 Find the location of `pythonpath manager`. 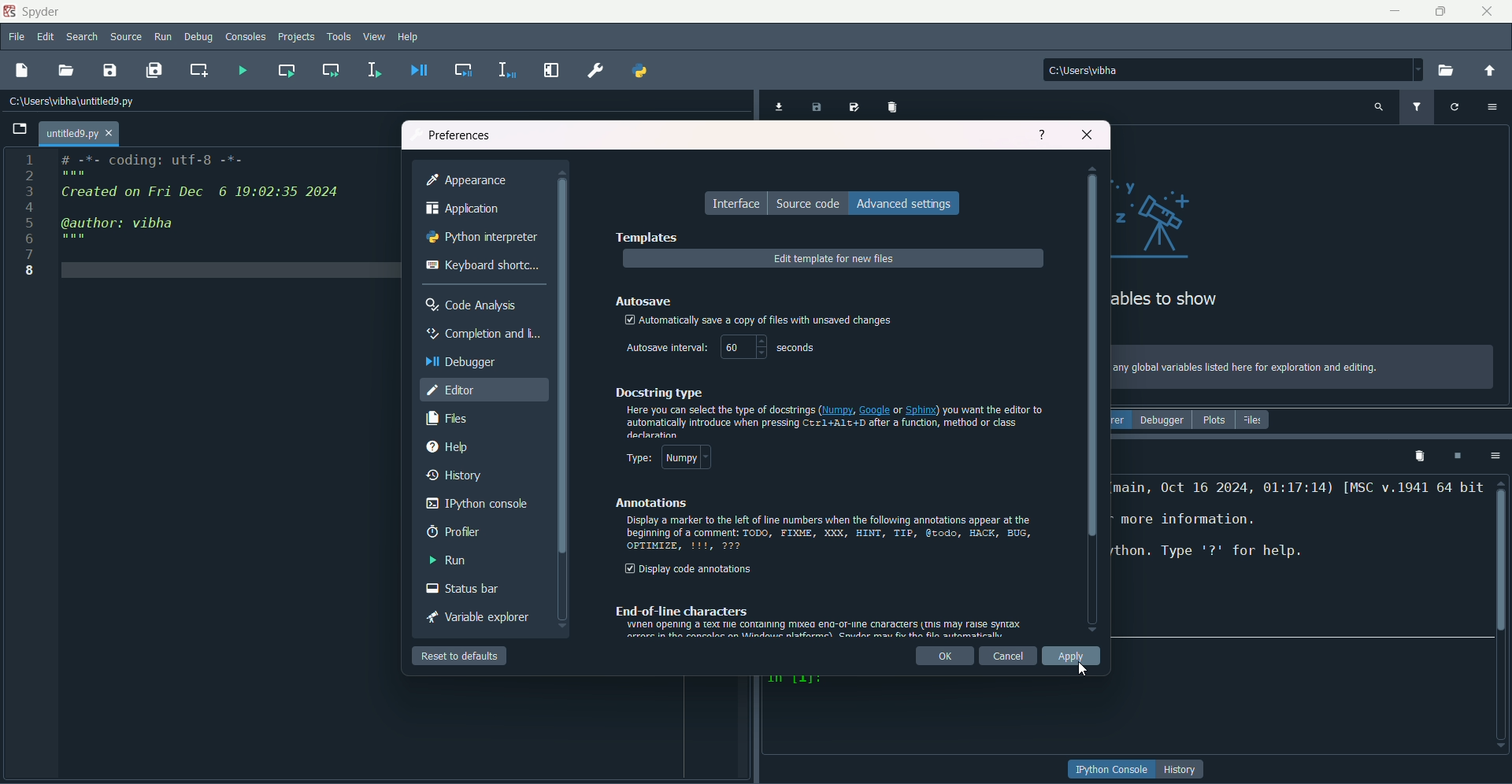

pythonpath manager is located at coordinates (642, 72).